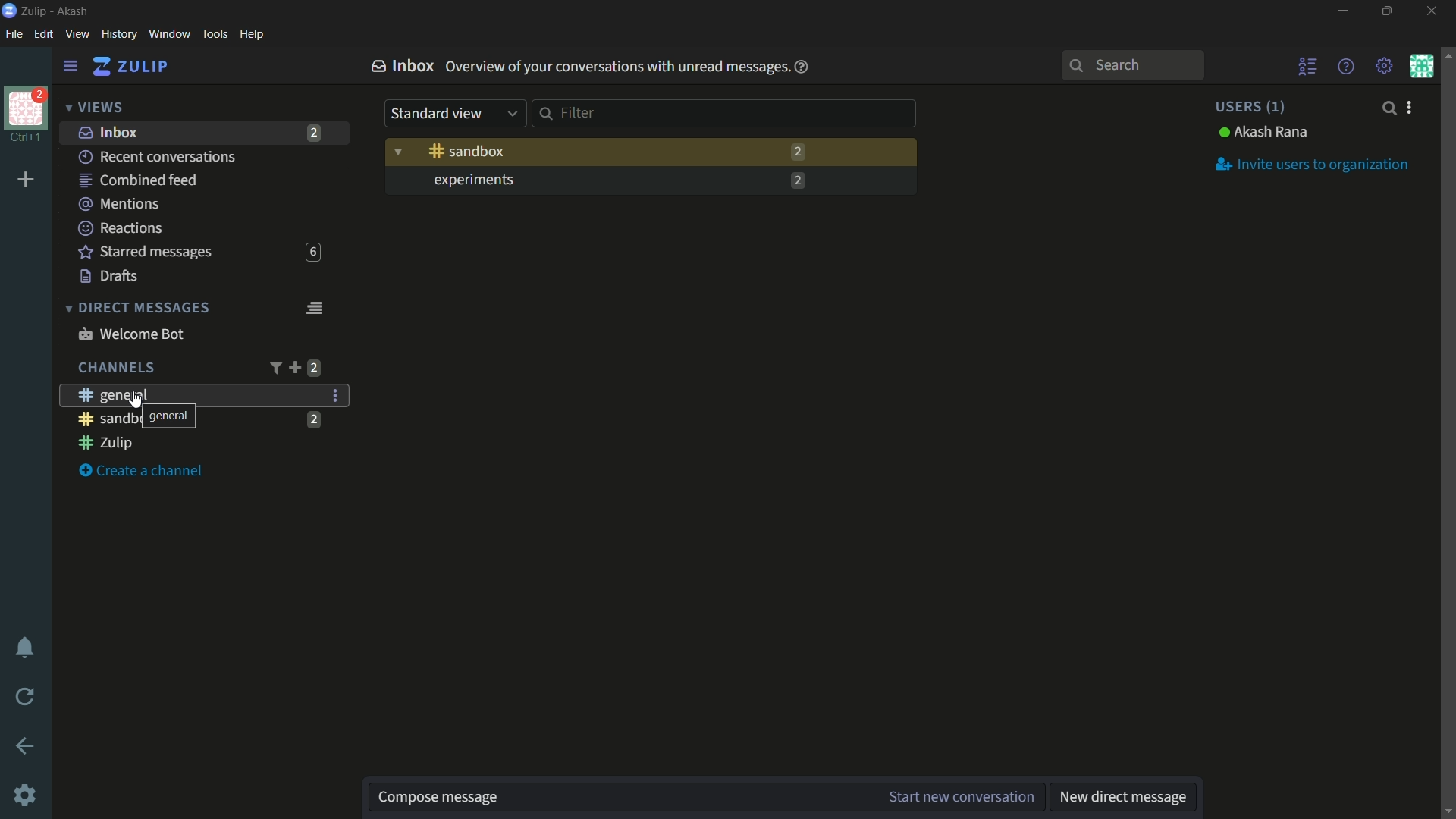  Describe the element at coordinates (77, 33) in the screenshot. I see `view menu` at that location.